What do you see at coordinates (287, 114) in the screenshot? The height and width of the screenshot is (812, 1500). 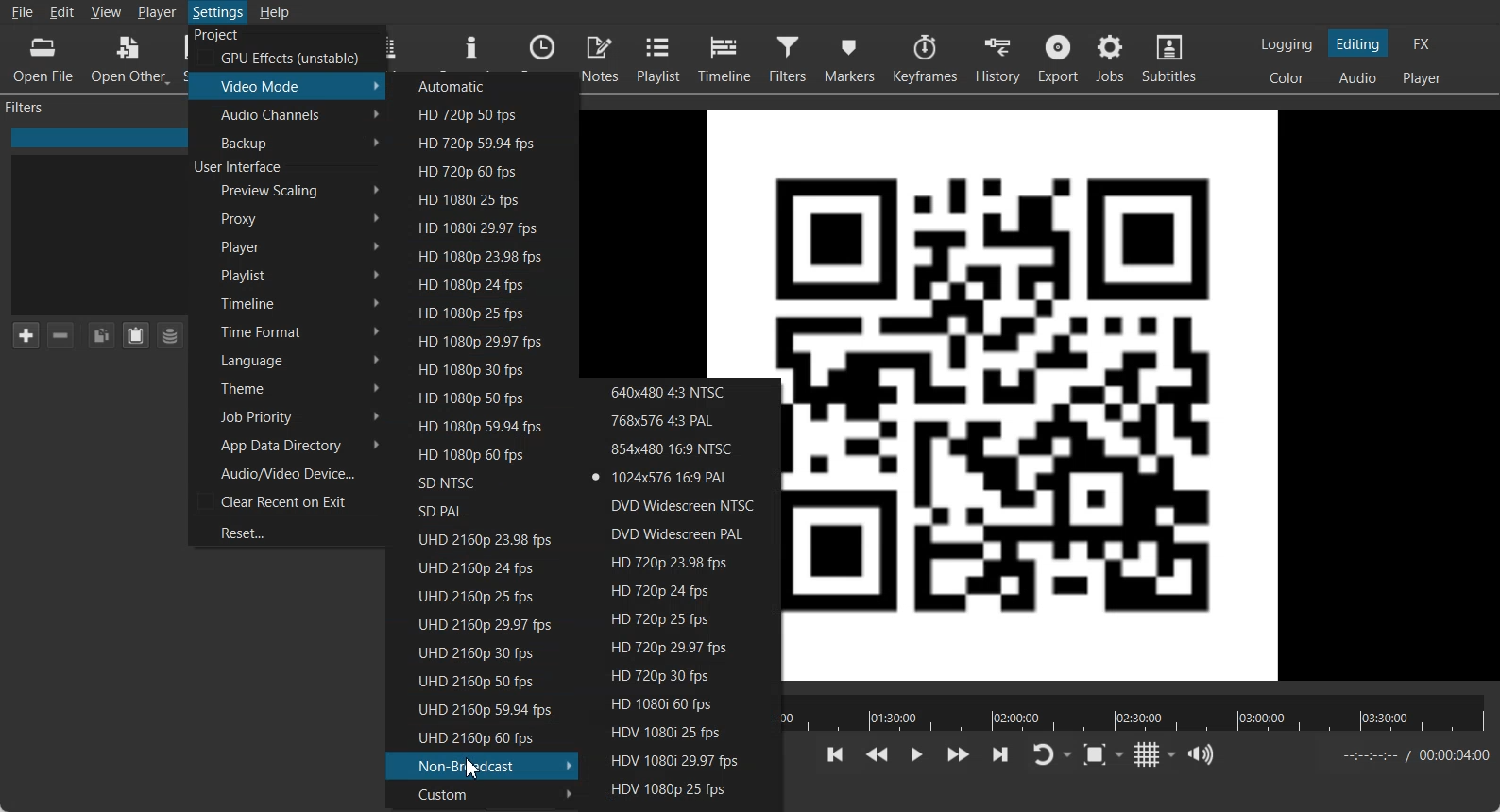 I see `Audio Channel` at bounding box center [287, 114].